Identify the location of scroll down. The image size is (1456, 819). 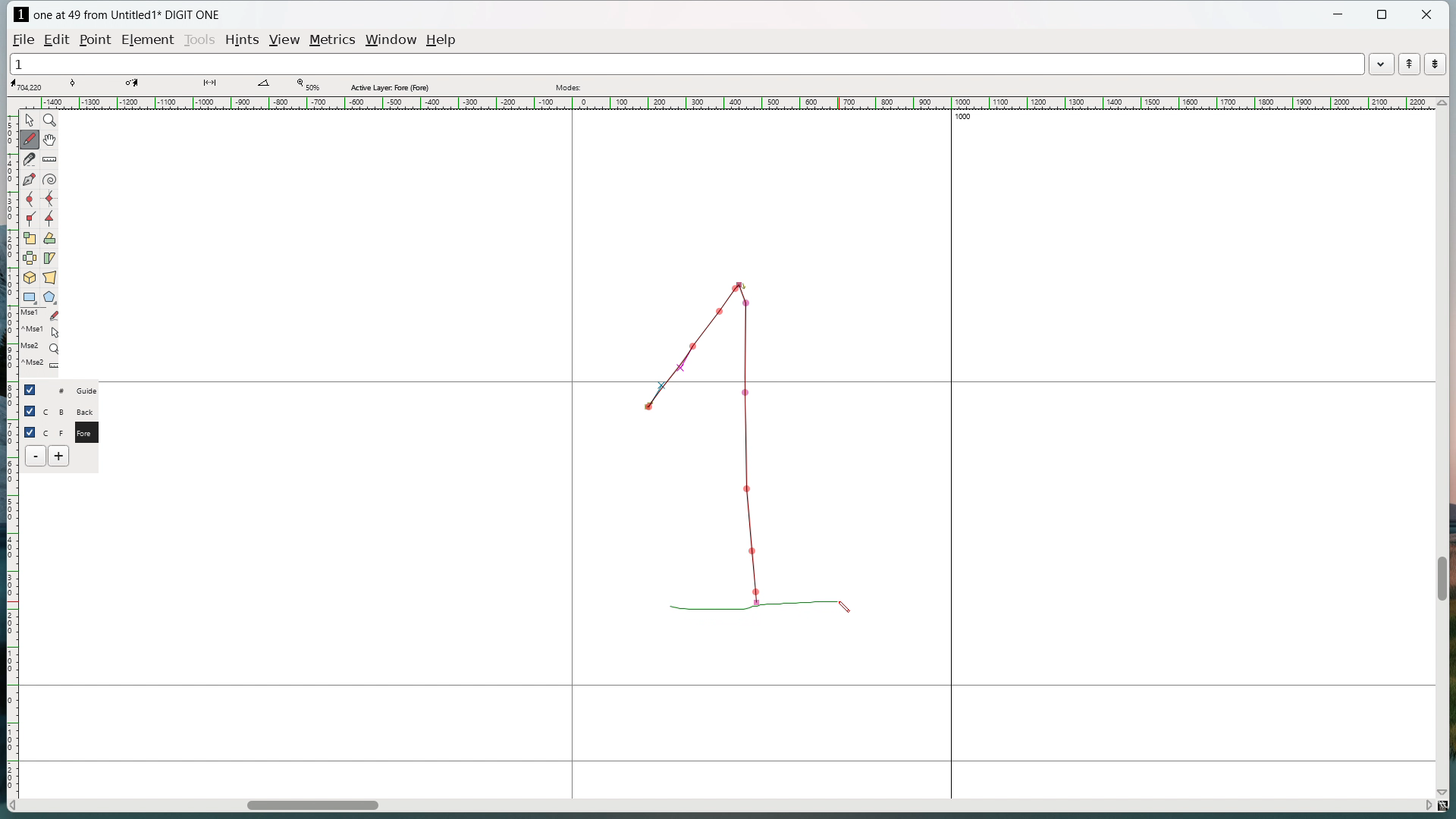
(1446, 789).